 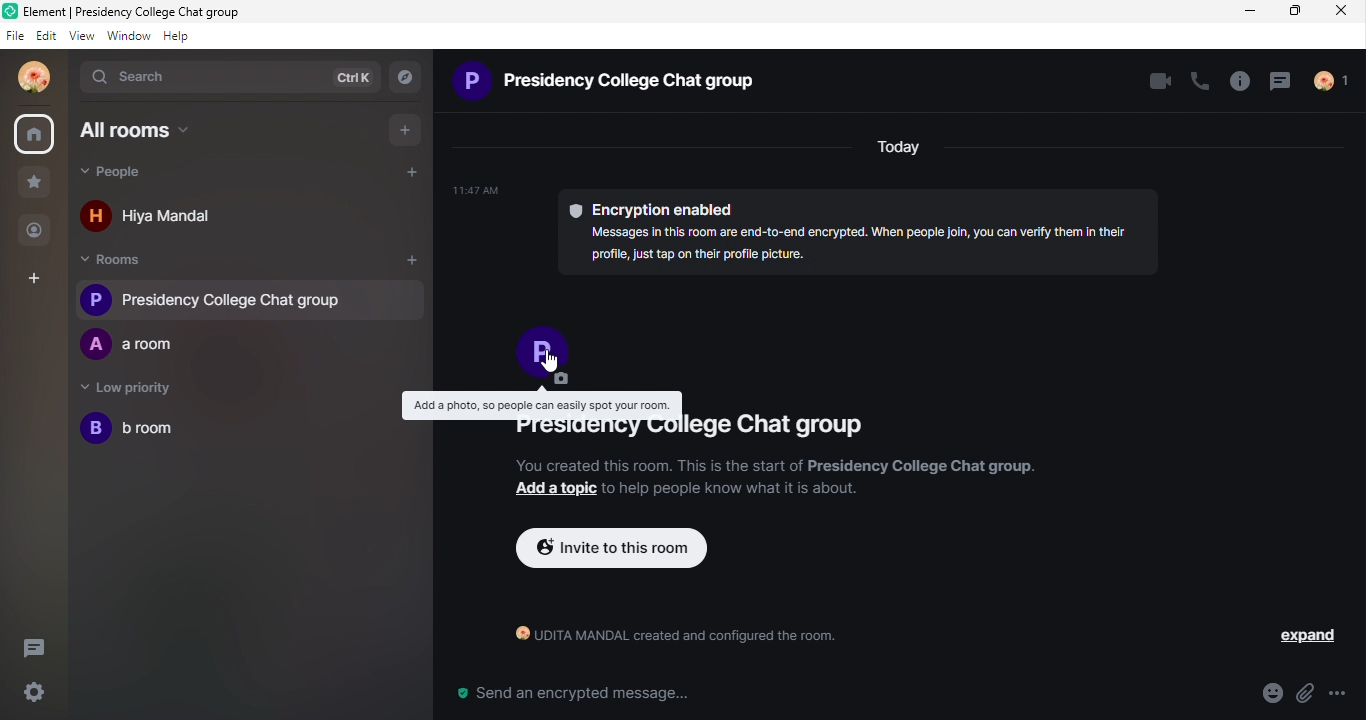 I want to click on settings, so click(x=31, y=693).